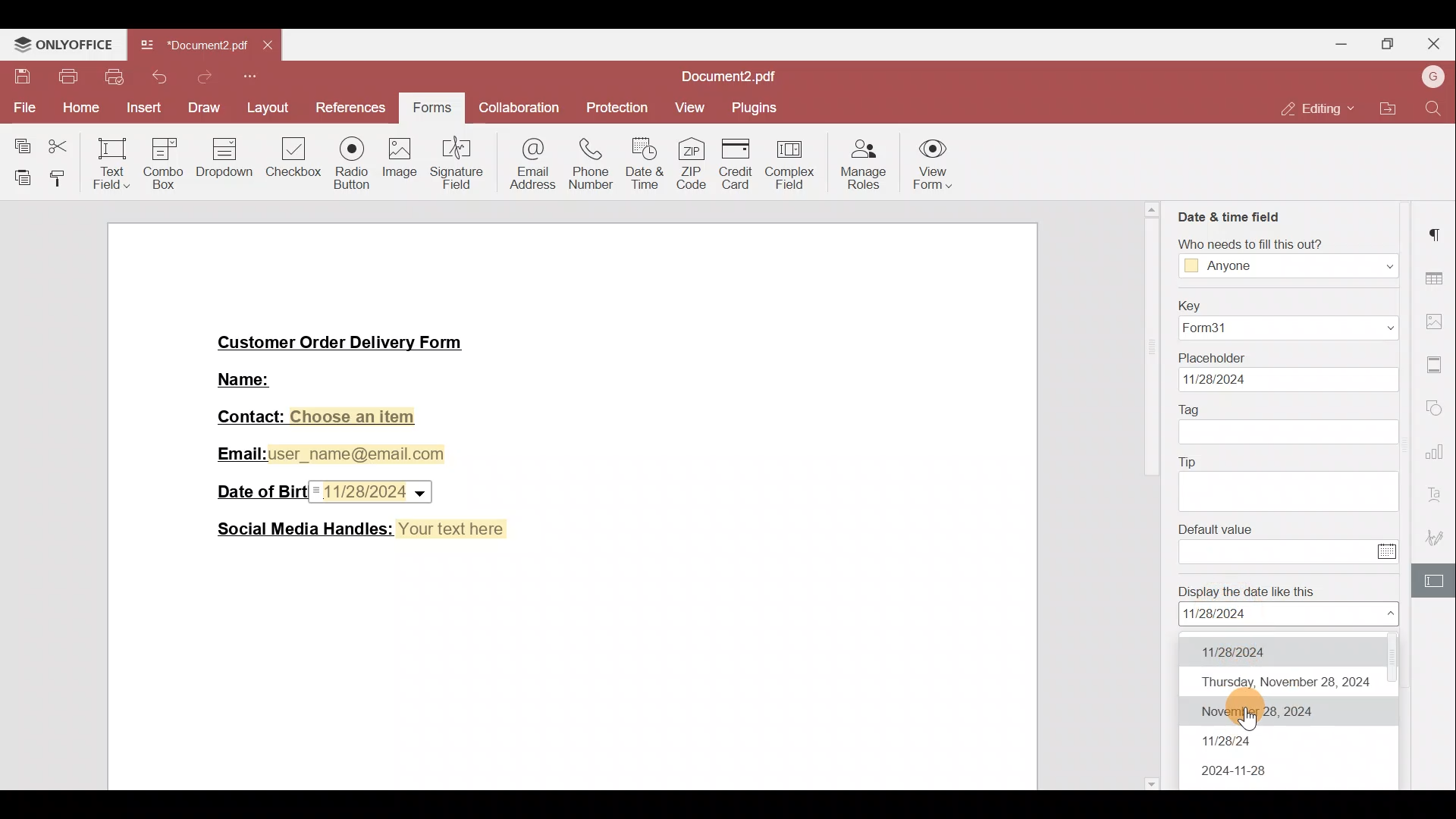 This screenshot has width=1456, height=819. What do you see at coordinates (516, 109) in the screenshot?
I see `Collaboration` at bounding box center [516, 109].